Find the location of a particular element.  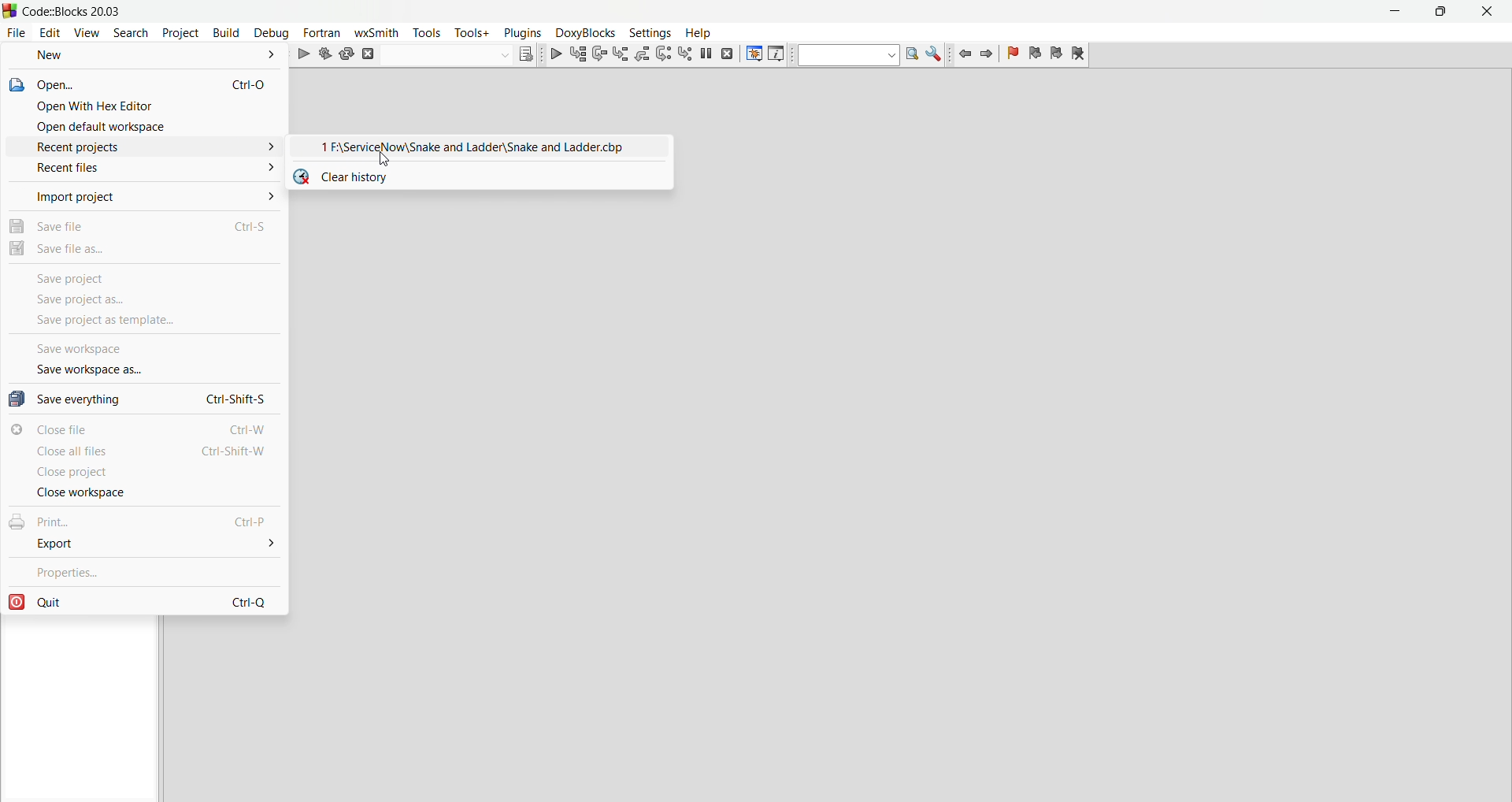

tools is located at coordinates (428, 32).